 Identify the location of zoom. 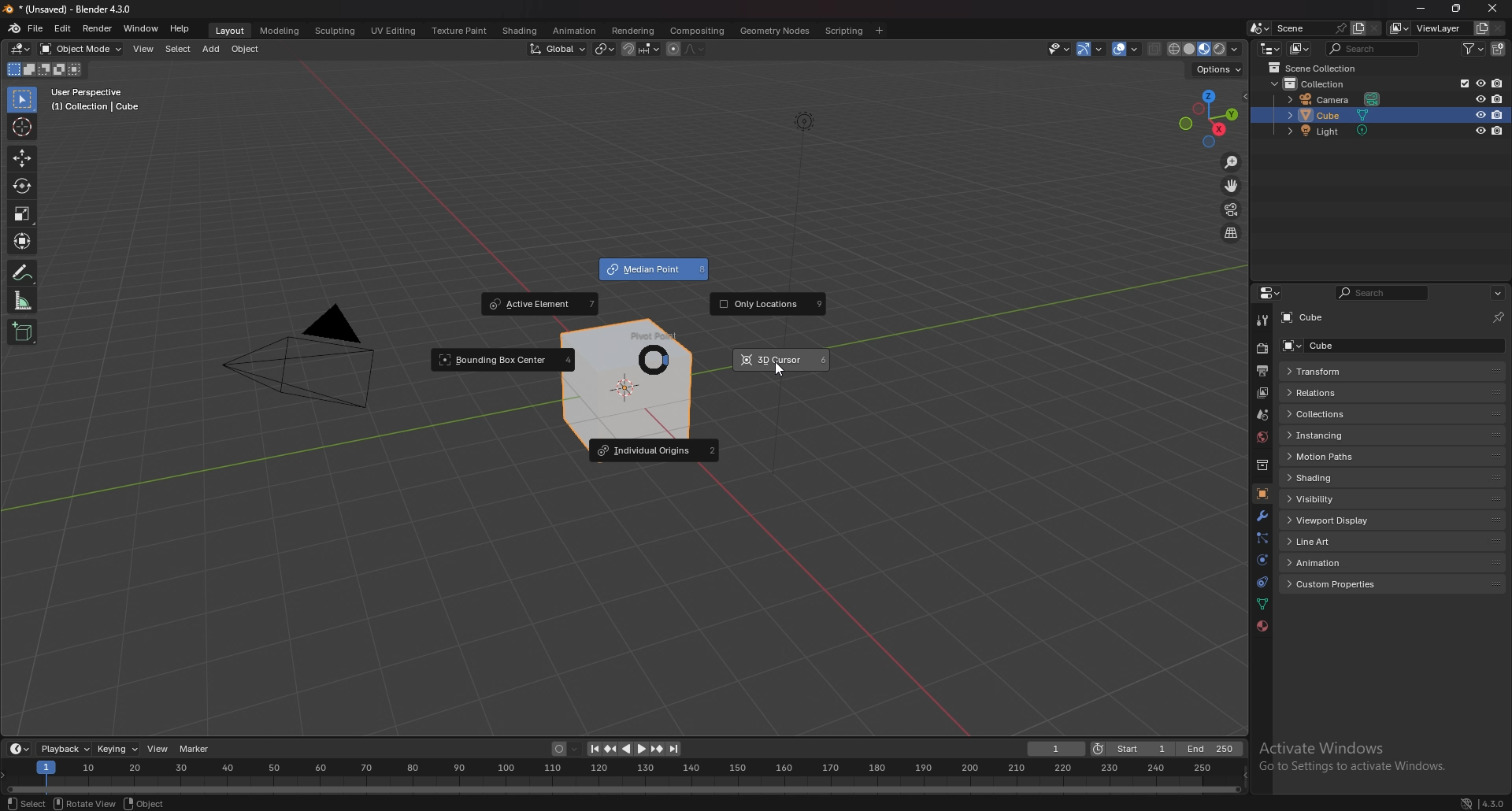
(1232, 162).